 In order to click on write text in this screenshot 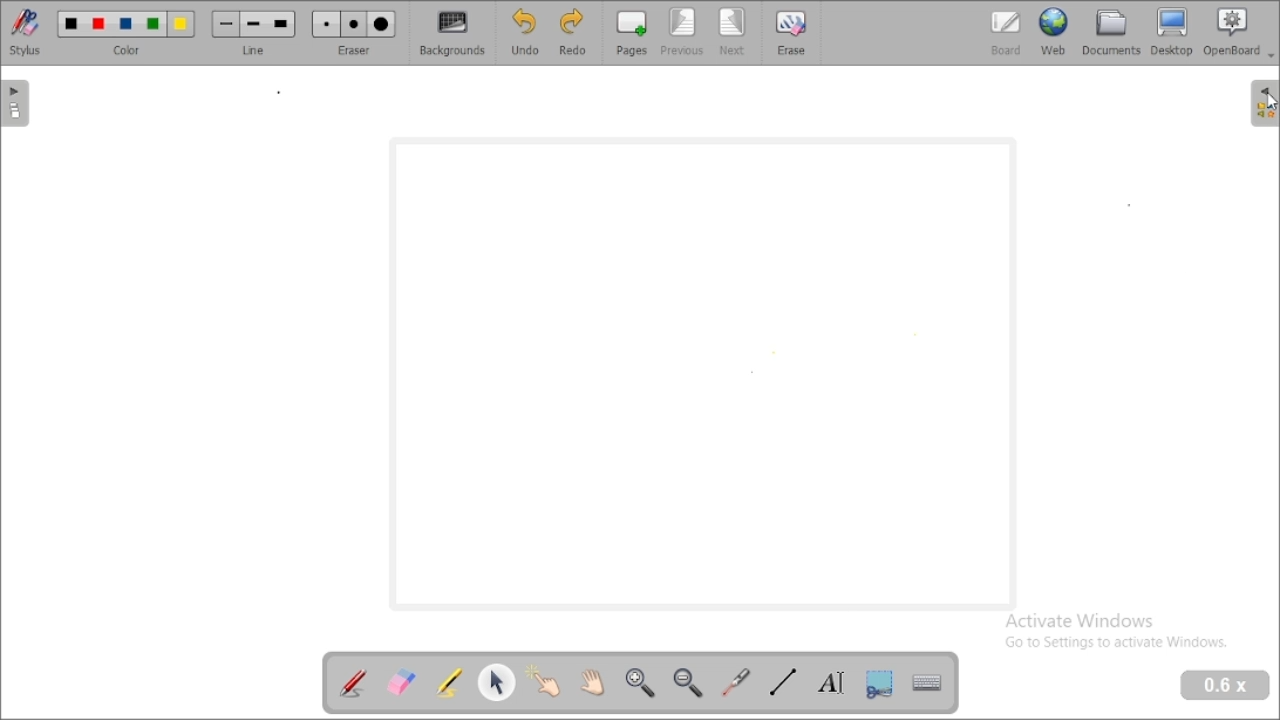, I will do `click(830, 681)`.